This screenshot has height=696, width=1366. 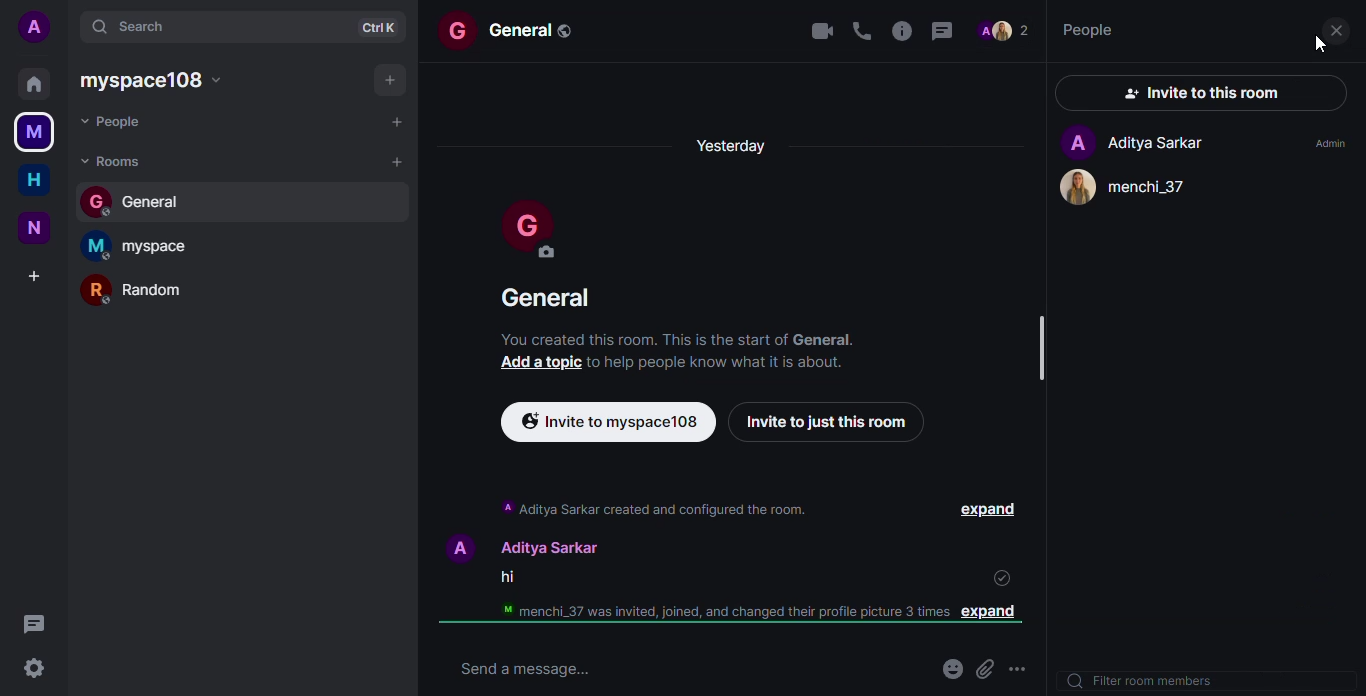 What do you see at coordinates (34, 176) in the screenshot?
I see `home` at bounding box center [34, 176].